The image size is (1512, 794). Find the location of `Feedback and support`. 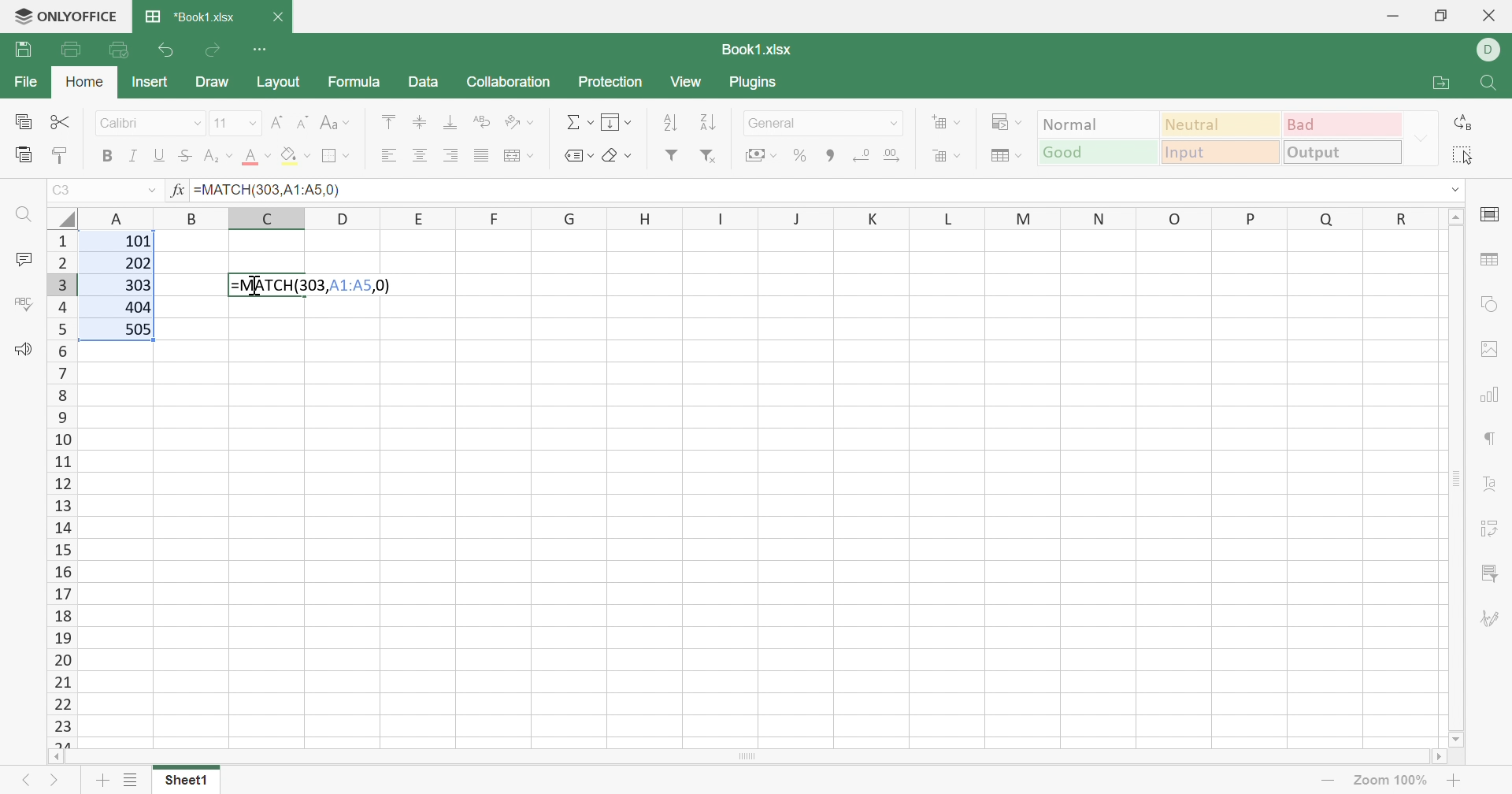

Feedback and support is located at coordinates (18, 349).